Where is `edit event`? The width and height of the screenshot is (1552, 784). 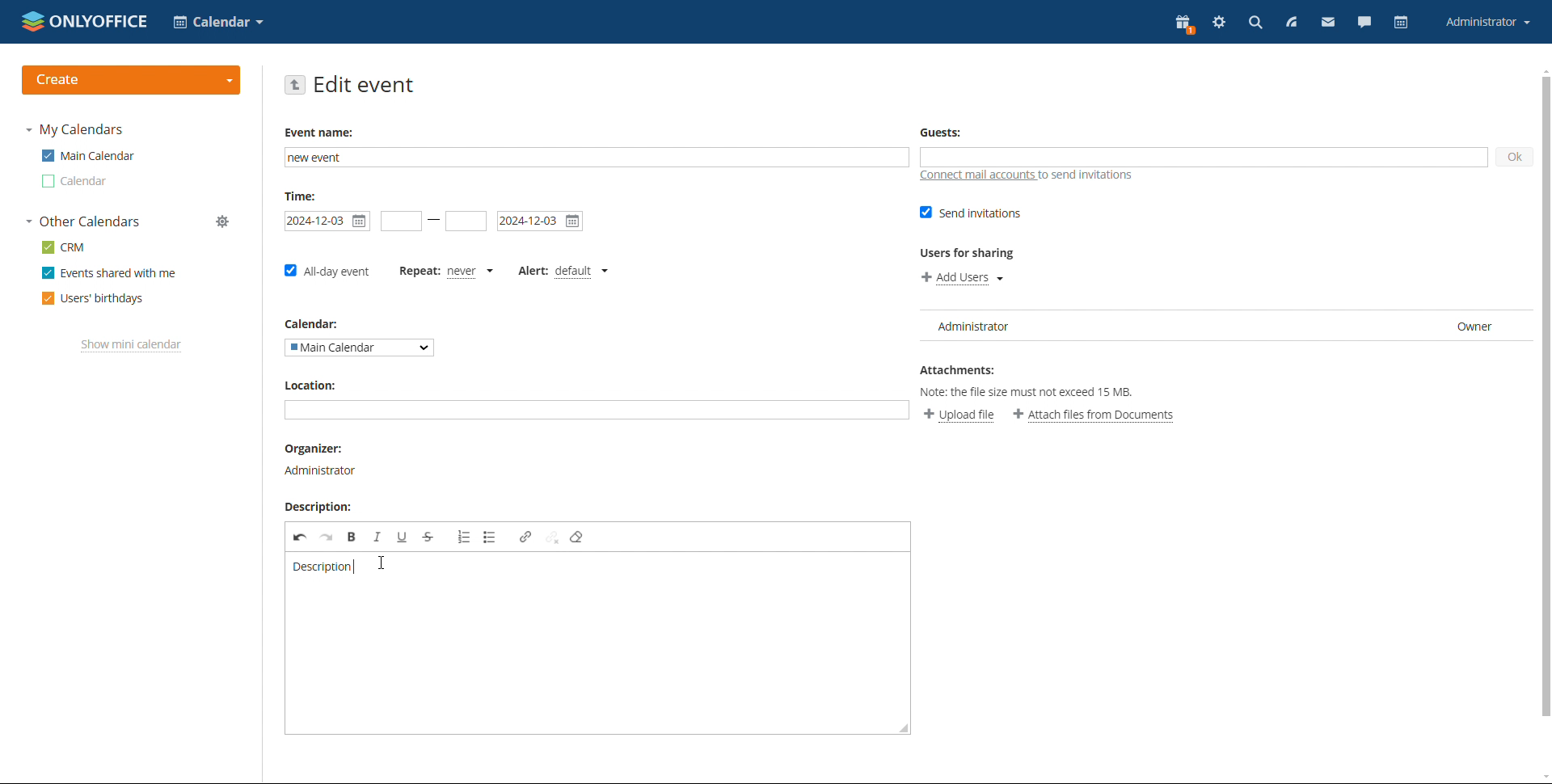
edit event is located at coordinates (365, 85).